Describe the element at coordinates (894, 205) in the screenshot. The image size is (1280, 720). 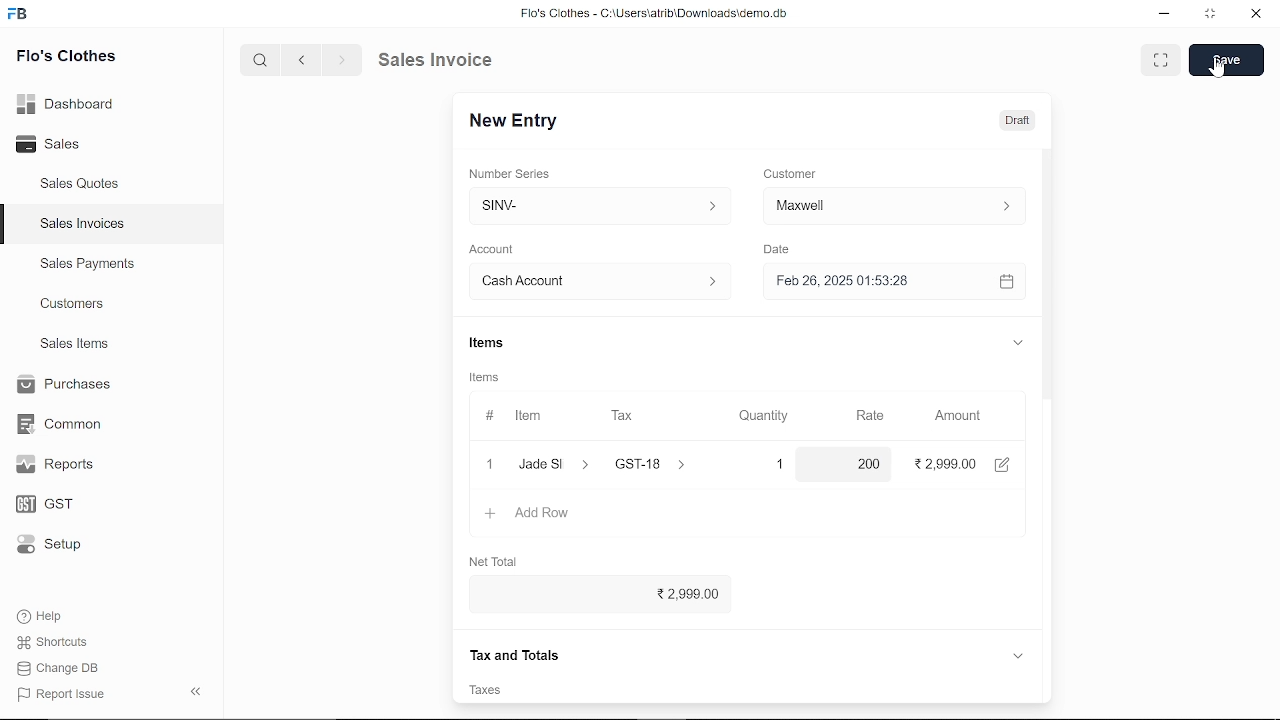
I see `Customer` at that location.